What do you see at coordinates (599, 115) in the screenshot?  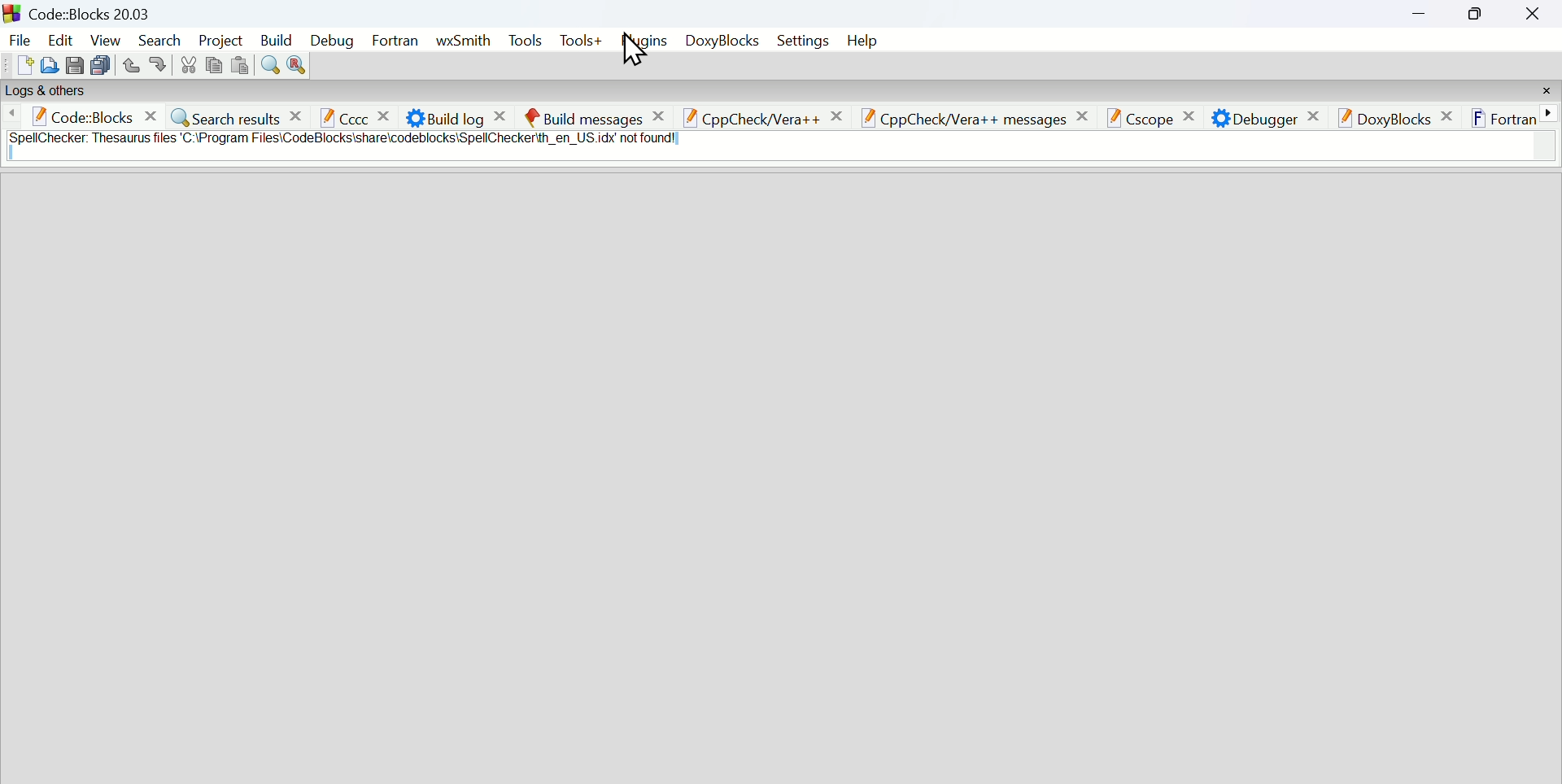 I see `Build messages ` at bounding box center [599, 115].